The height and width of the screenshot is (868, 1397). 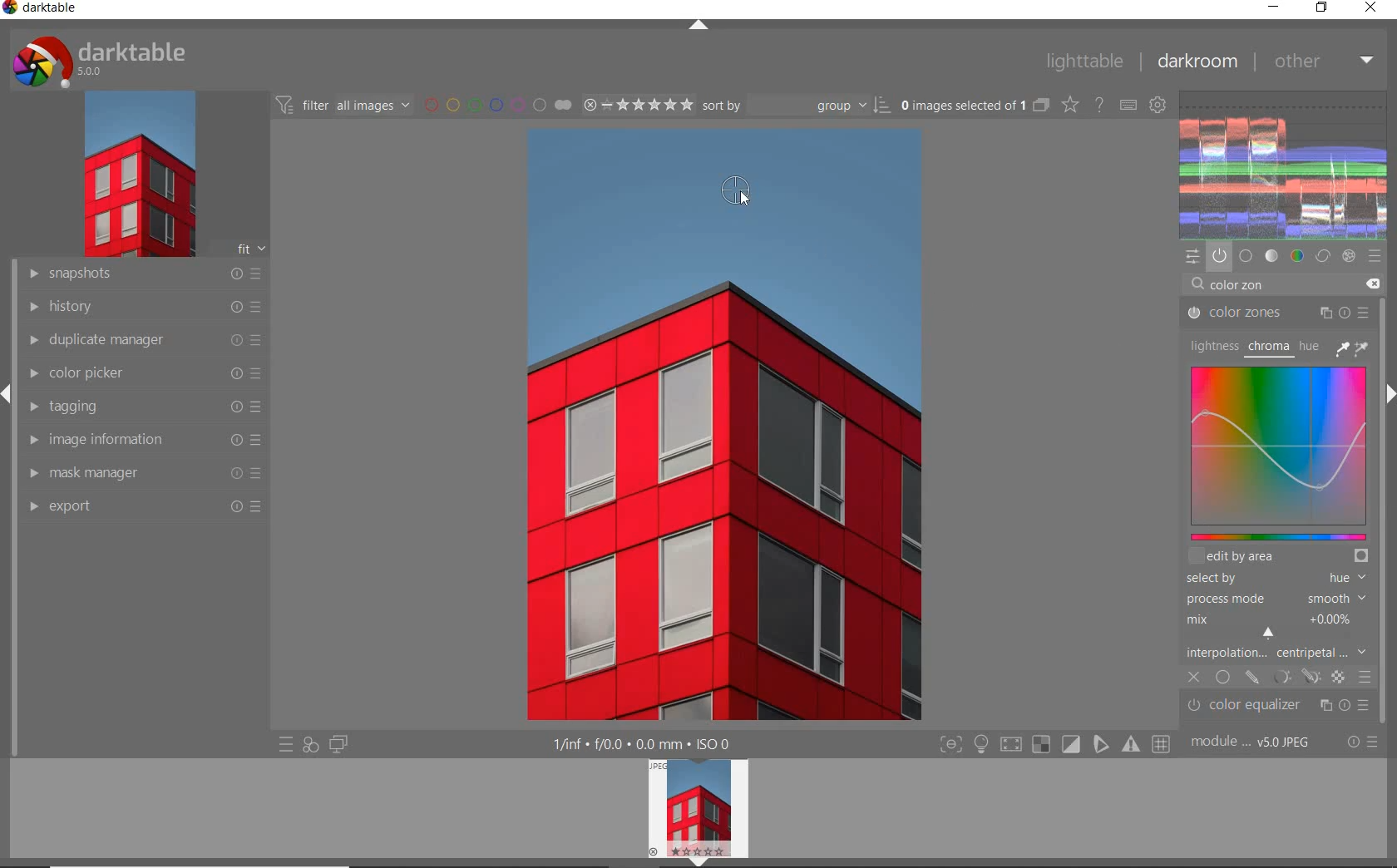 What do you see at coordinates (286, 746) in the screenshot?
I see `quick access to presets` at bounding box center [286, 746].